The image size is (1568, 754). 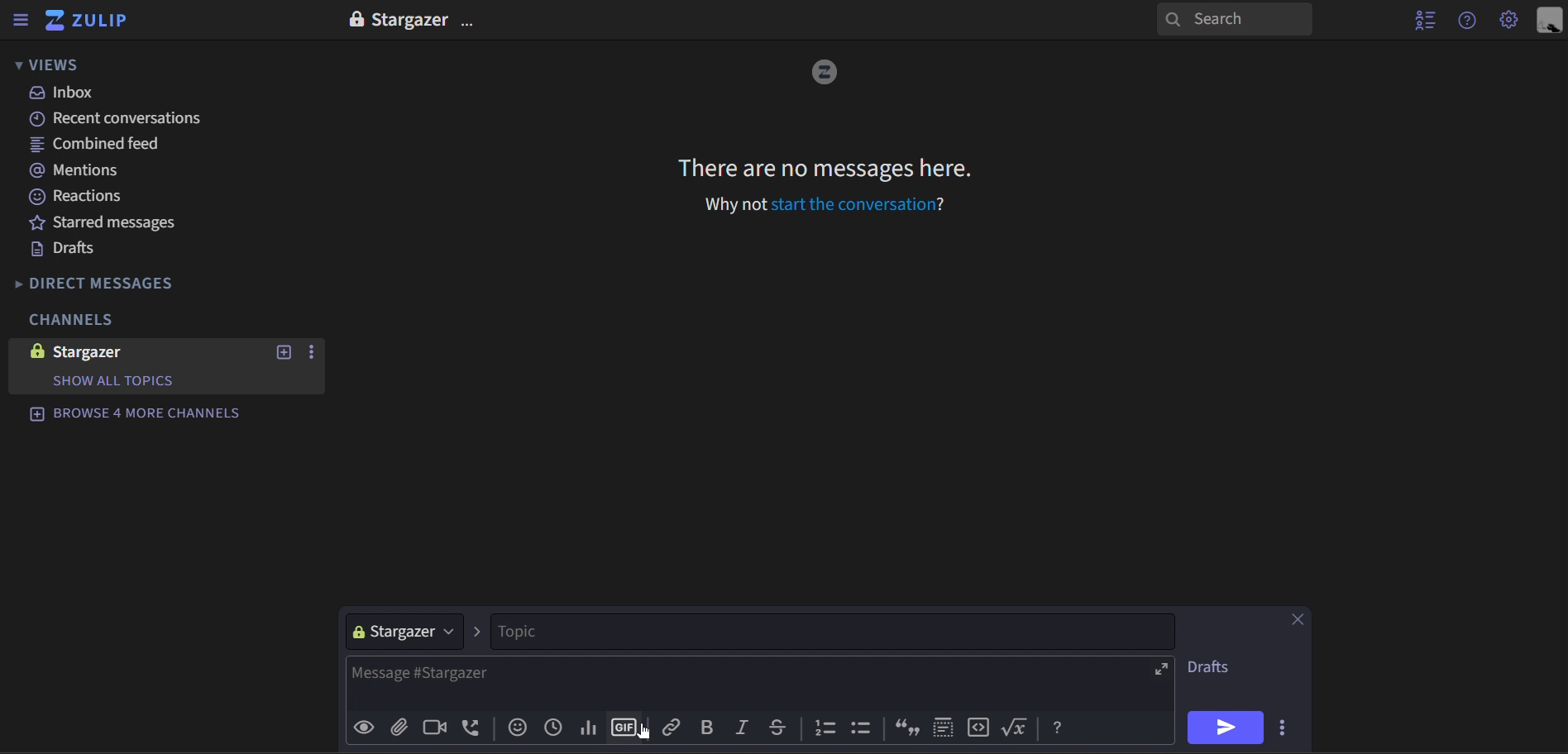 What do you see at coordinates (627, 728) in the screenshot?
I see `add gif` at bounding box center [627, 728].